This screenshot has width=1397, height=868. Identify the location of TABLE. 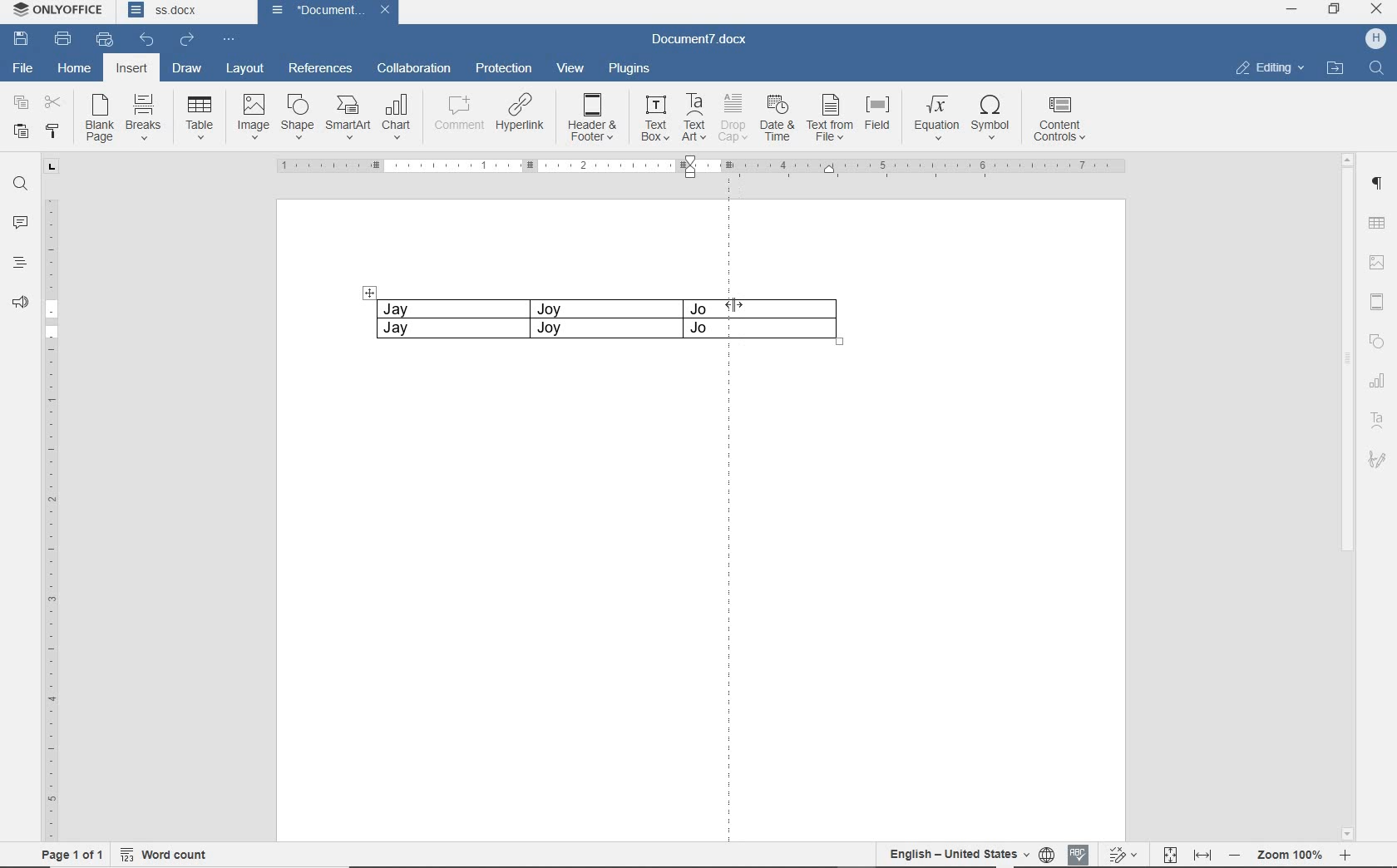
(200, 118).